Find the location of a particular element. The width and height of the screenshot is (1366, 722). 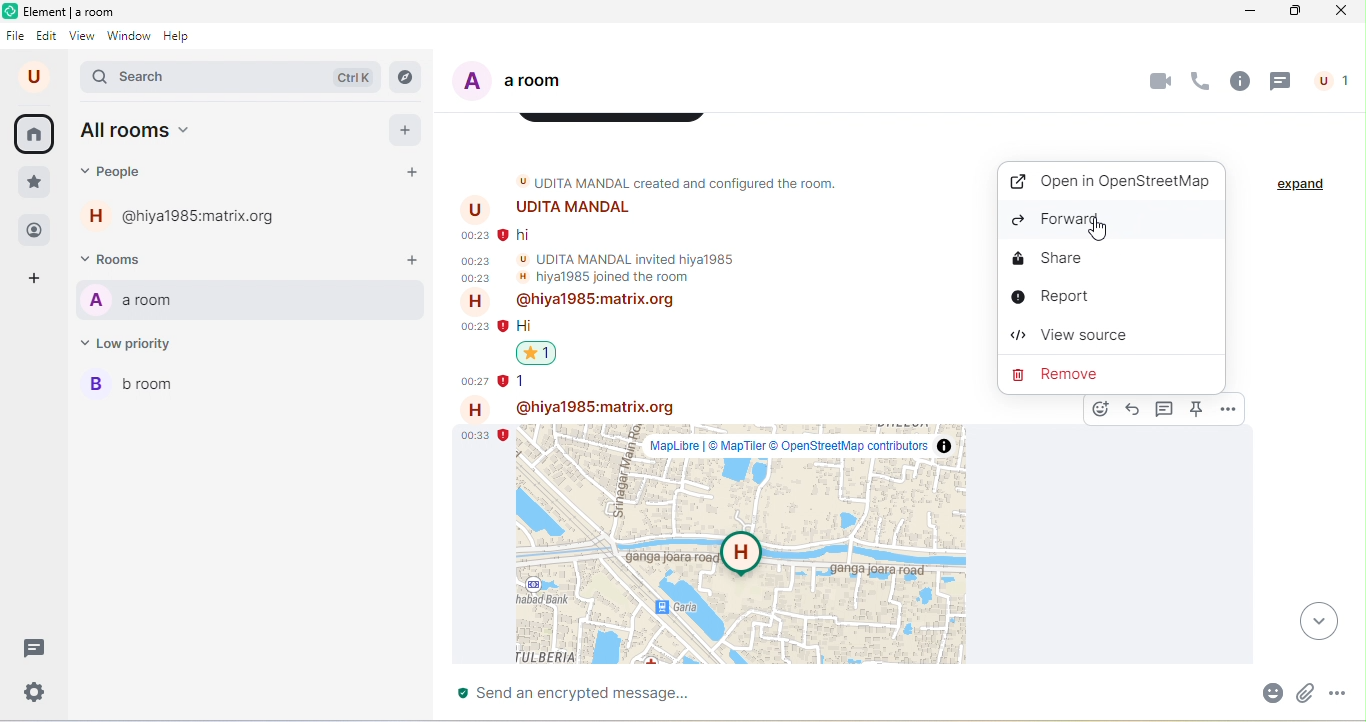

start a new chat is located at coordinates (410, 171).